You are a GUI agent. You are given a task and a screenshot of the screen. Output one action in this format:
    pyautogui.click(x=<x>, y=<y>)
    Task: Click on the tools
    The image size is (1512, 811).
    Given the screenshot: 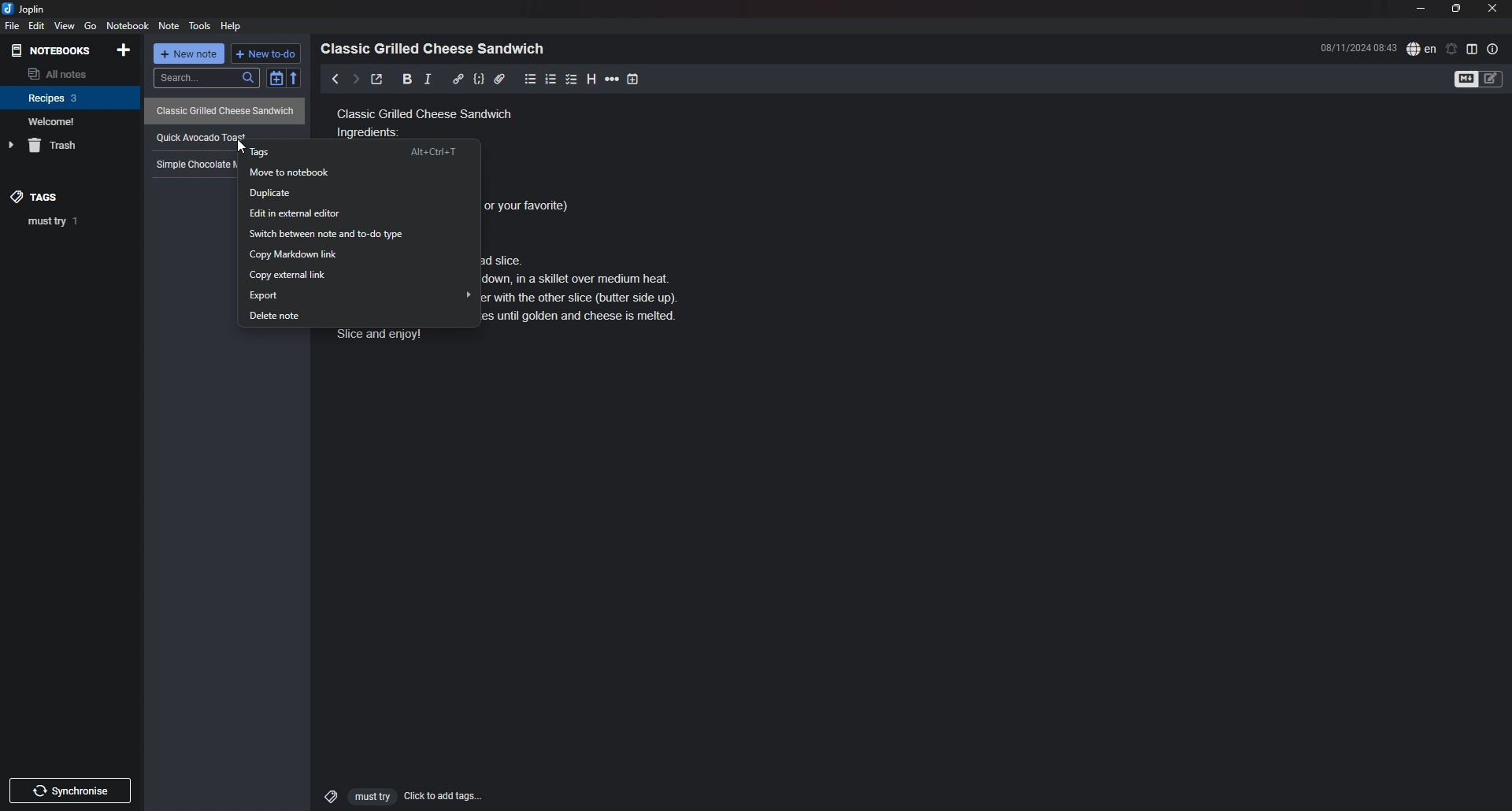 What is the action you would take?
    pyautogui.click(x=202, y=26)
    